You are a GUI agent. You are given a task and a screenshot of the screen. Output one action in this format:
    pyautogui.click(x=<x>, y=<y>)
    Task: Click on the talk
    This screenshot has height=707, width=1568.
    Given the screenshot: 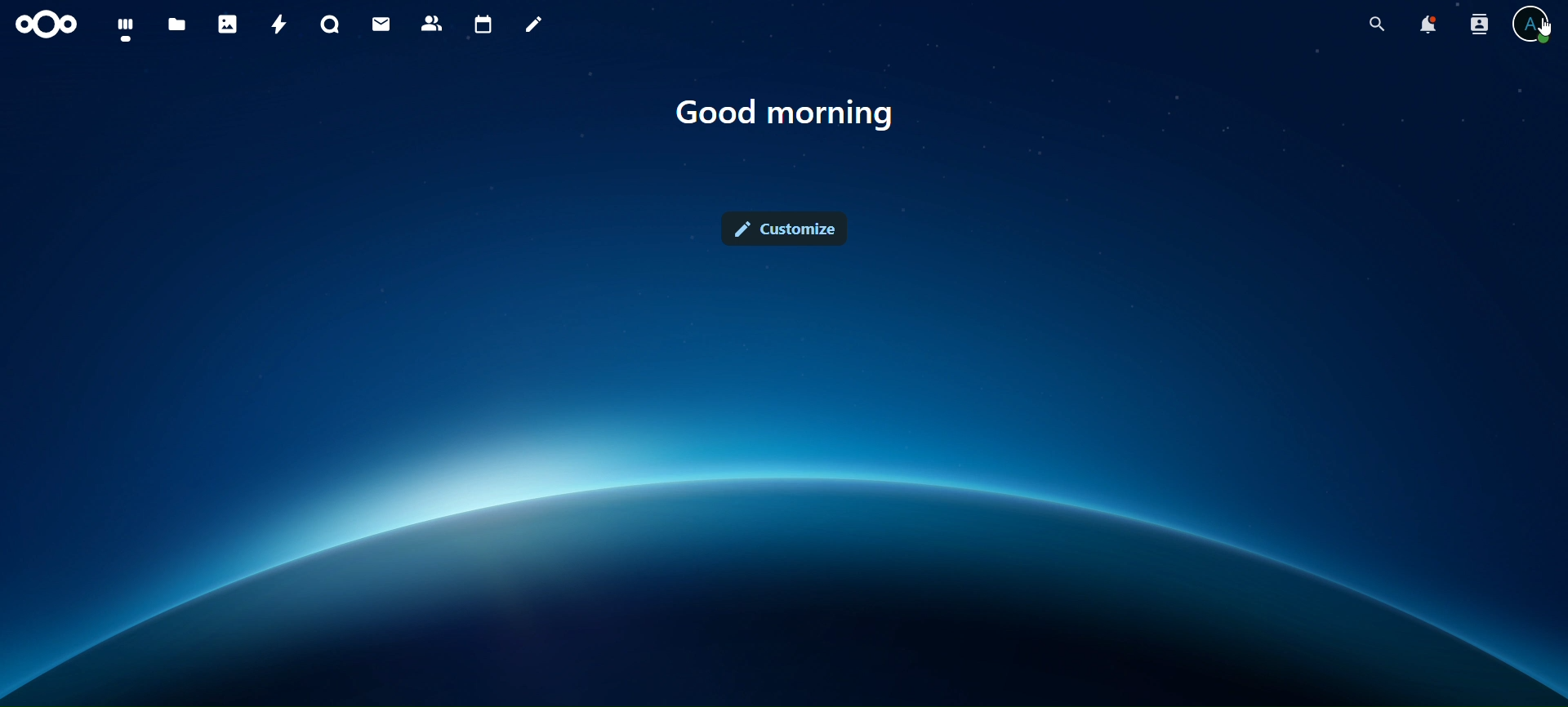 What is the action you would take?
    pyautogui.click(x=330, y=23)
    